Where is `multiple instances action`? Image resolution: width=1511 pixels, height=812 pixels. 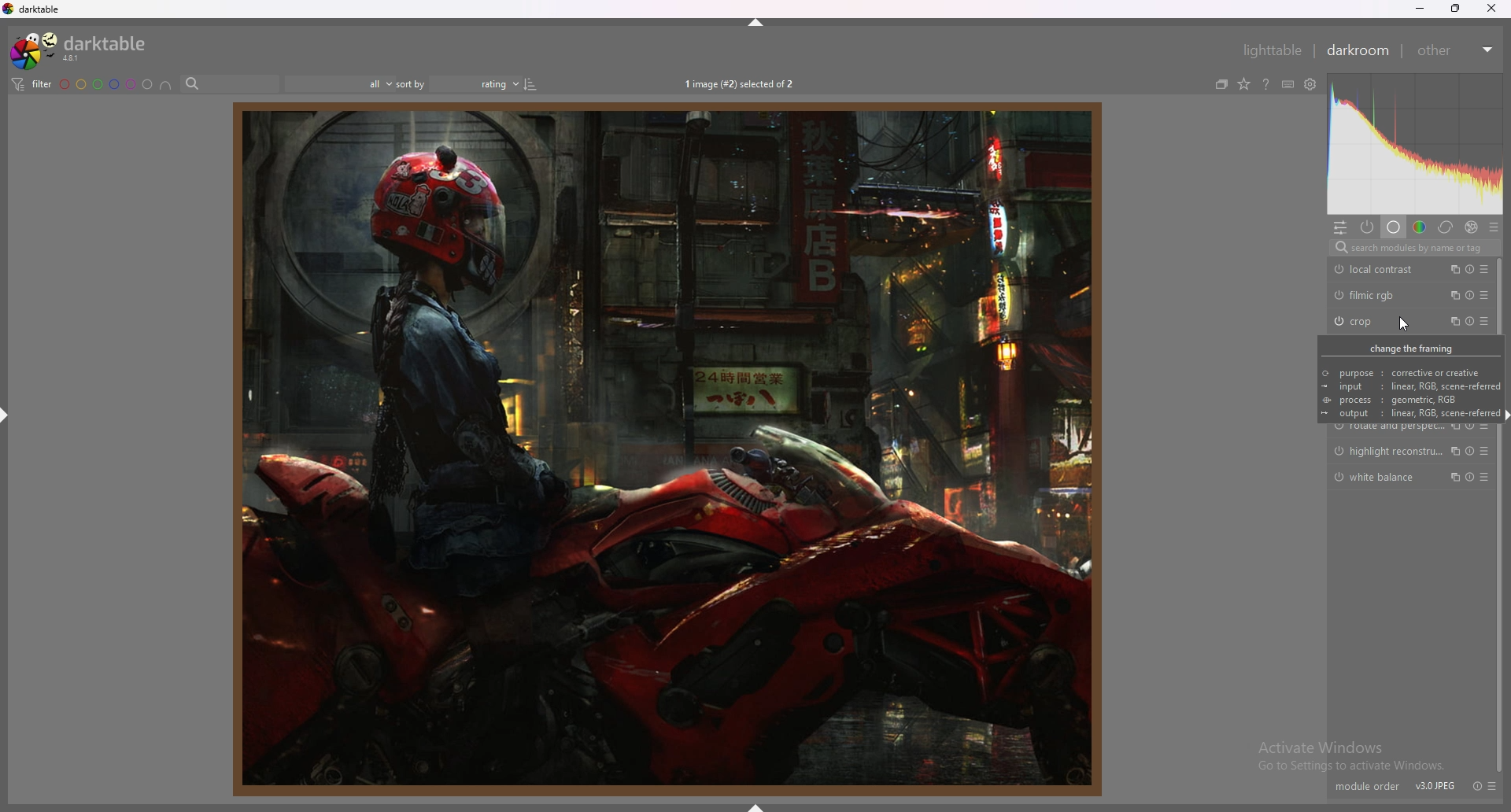
multiple instances action is located at coordinates (1453, 451).